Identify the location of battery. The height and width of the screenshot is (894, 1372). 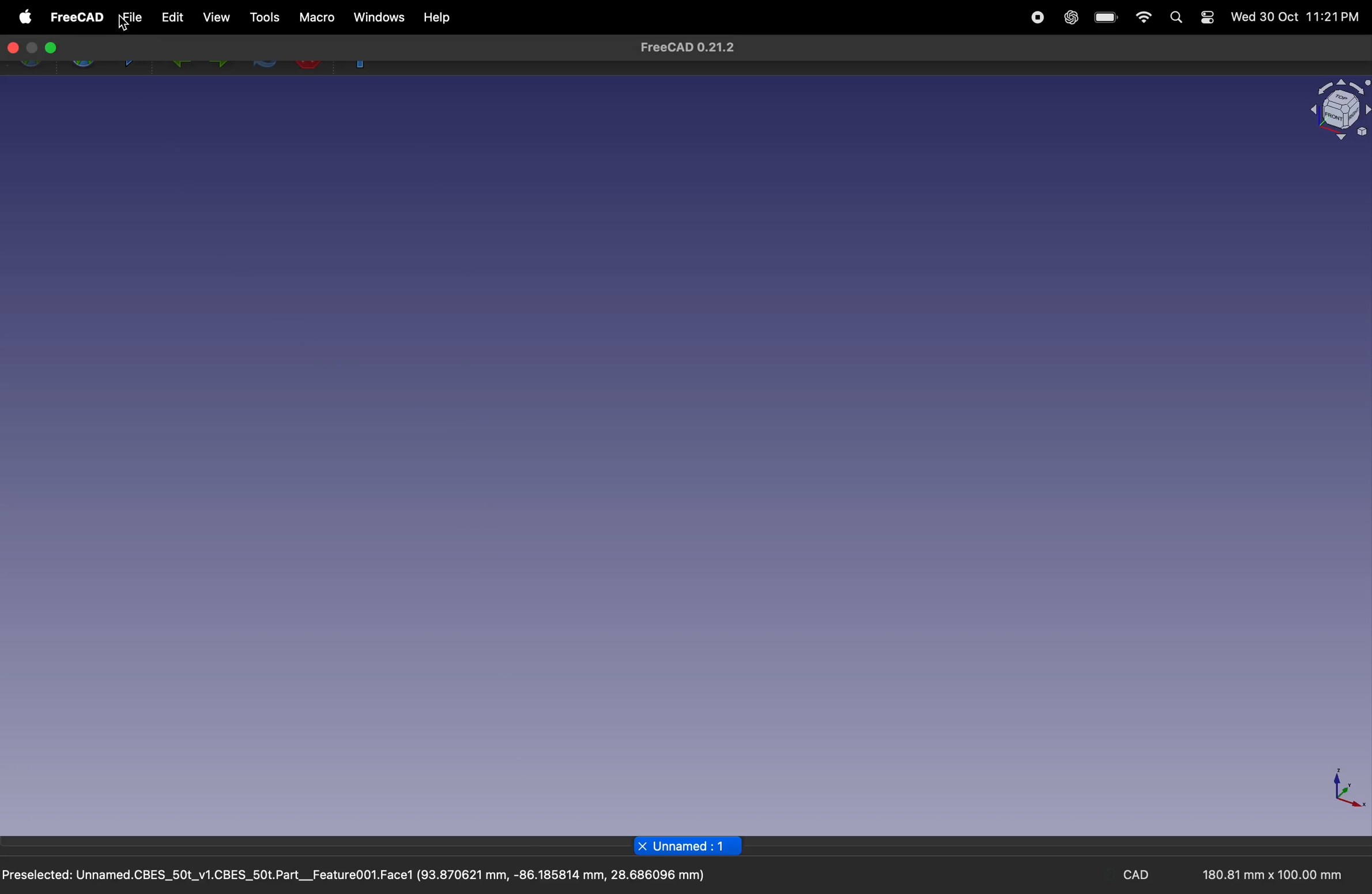
(1105, 18).